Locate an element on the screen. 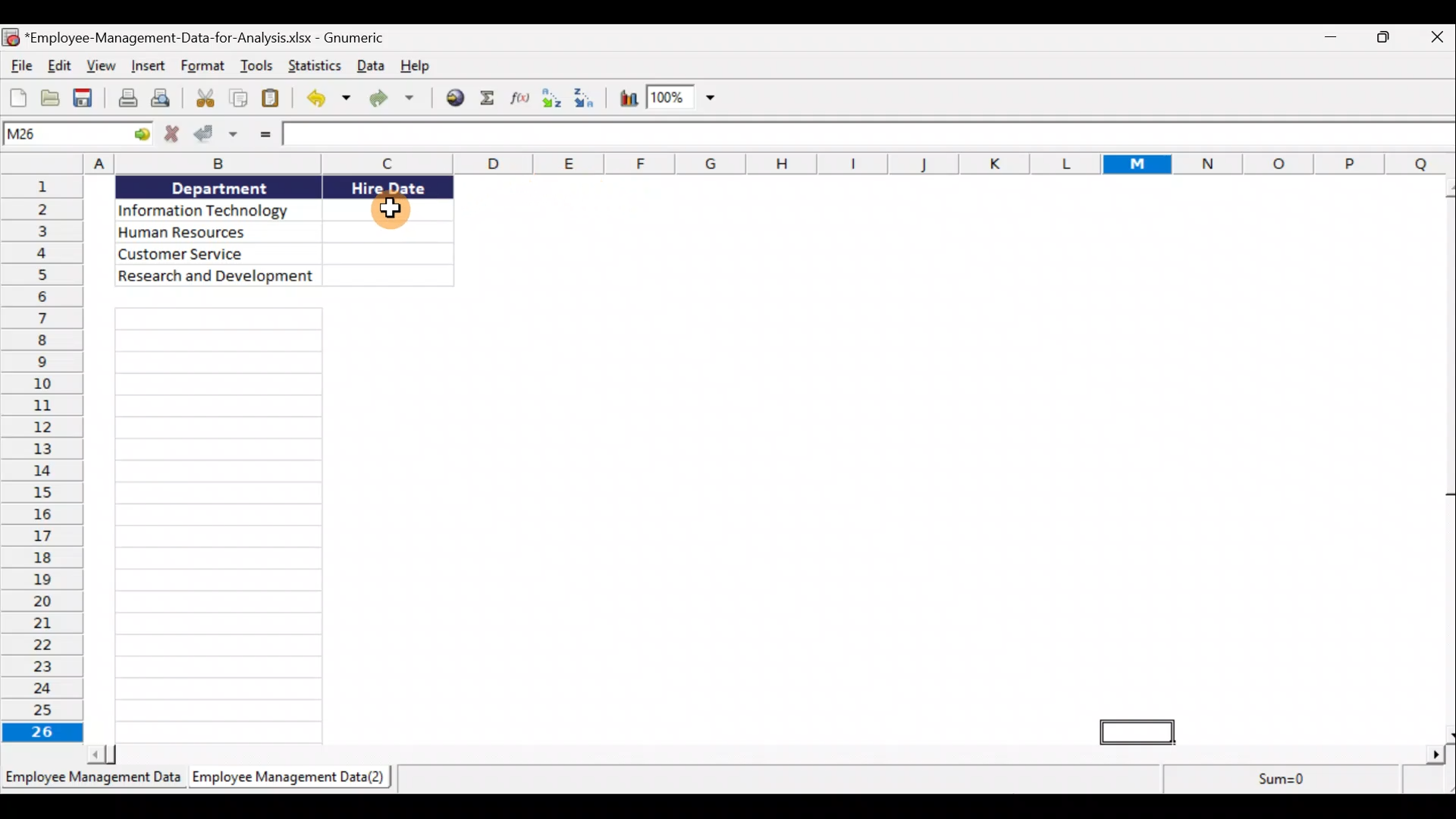 The image size is (1456, 819). selected cell is located at coordinates (1137, 733).